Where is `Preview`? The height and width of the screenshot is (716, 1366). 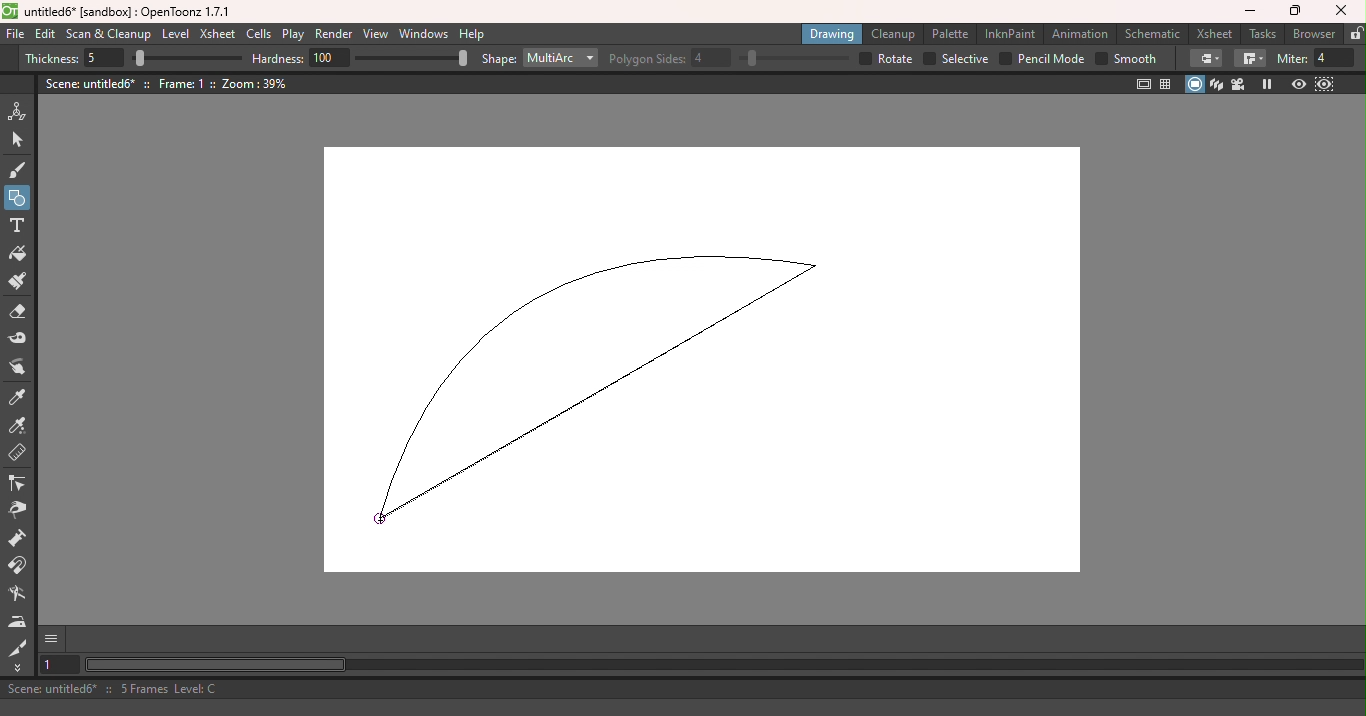
Preview is located at coordinates (1298, 85).